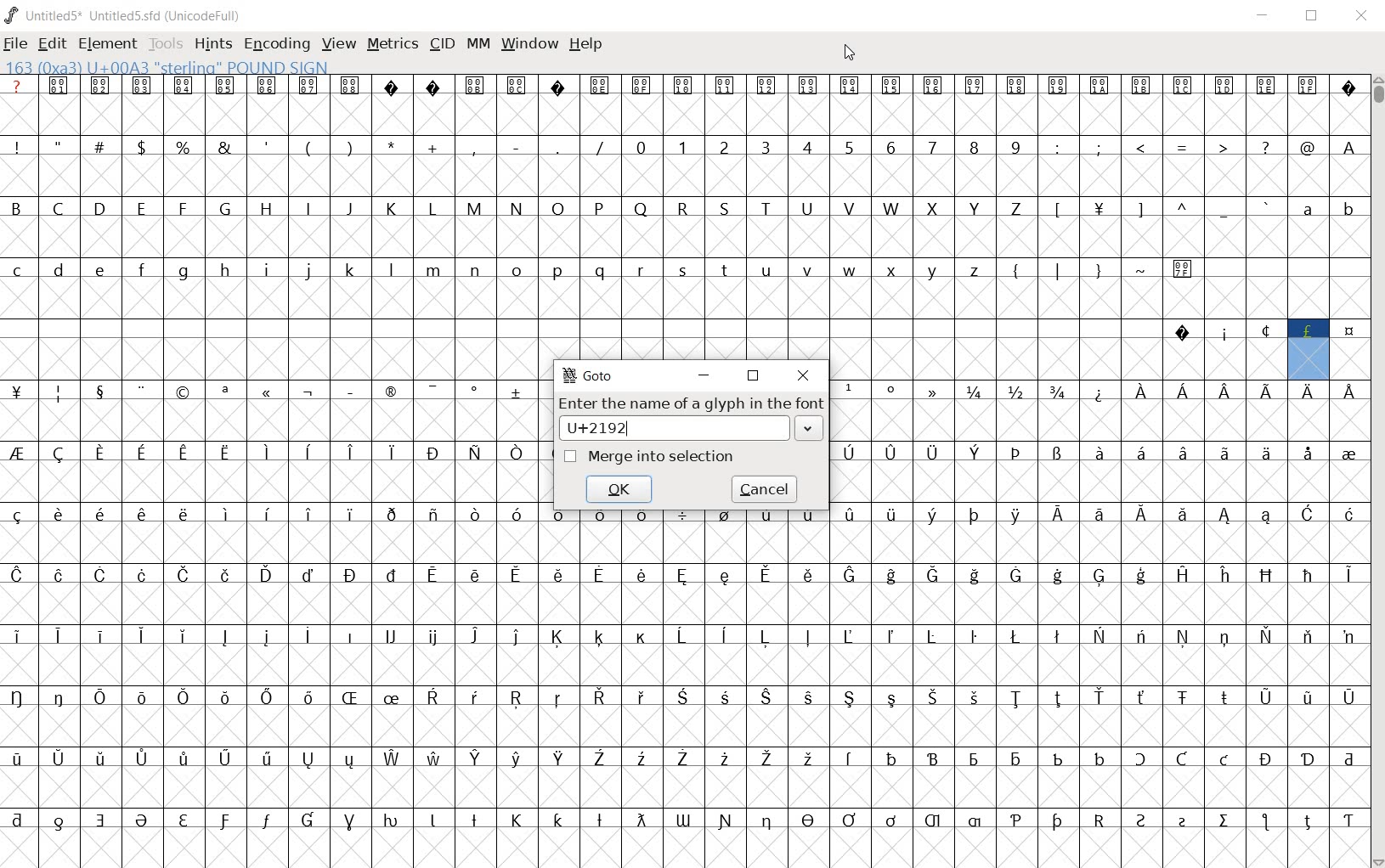 The height and width of the screenshot is (868, 1385). Describe the element at coordinates (52, 45) in the screenshot. I see `EDIT` at that location.